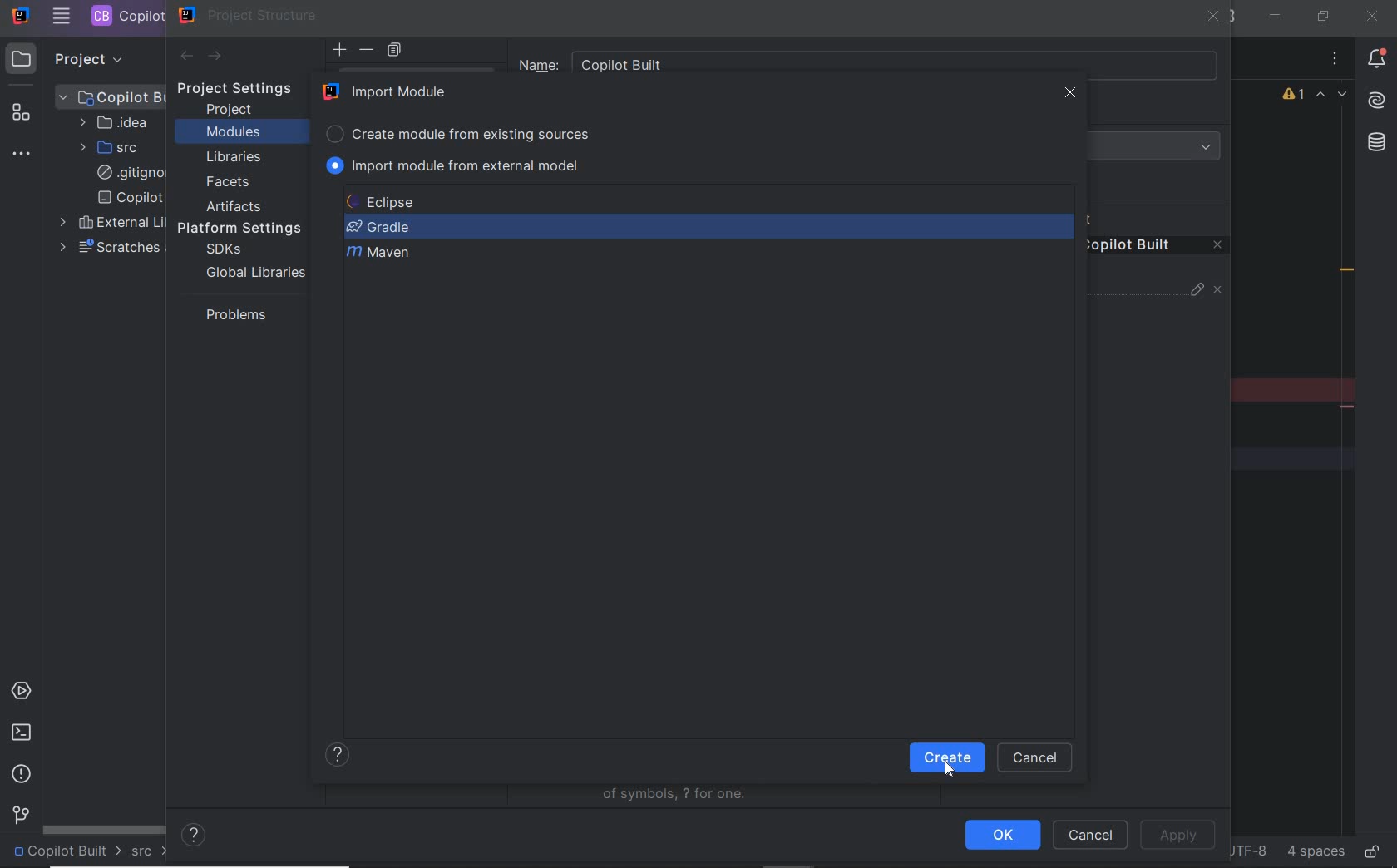  Describe the element at coordinates (386, 202) in the screenshot. I see `ECLIPSE` at that location.